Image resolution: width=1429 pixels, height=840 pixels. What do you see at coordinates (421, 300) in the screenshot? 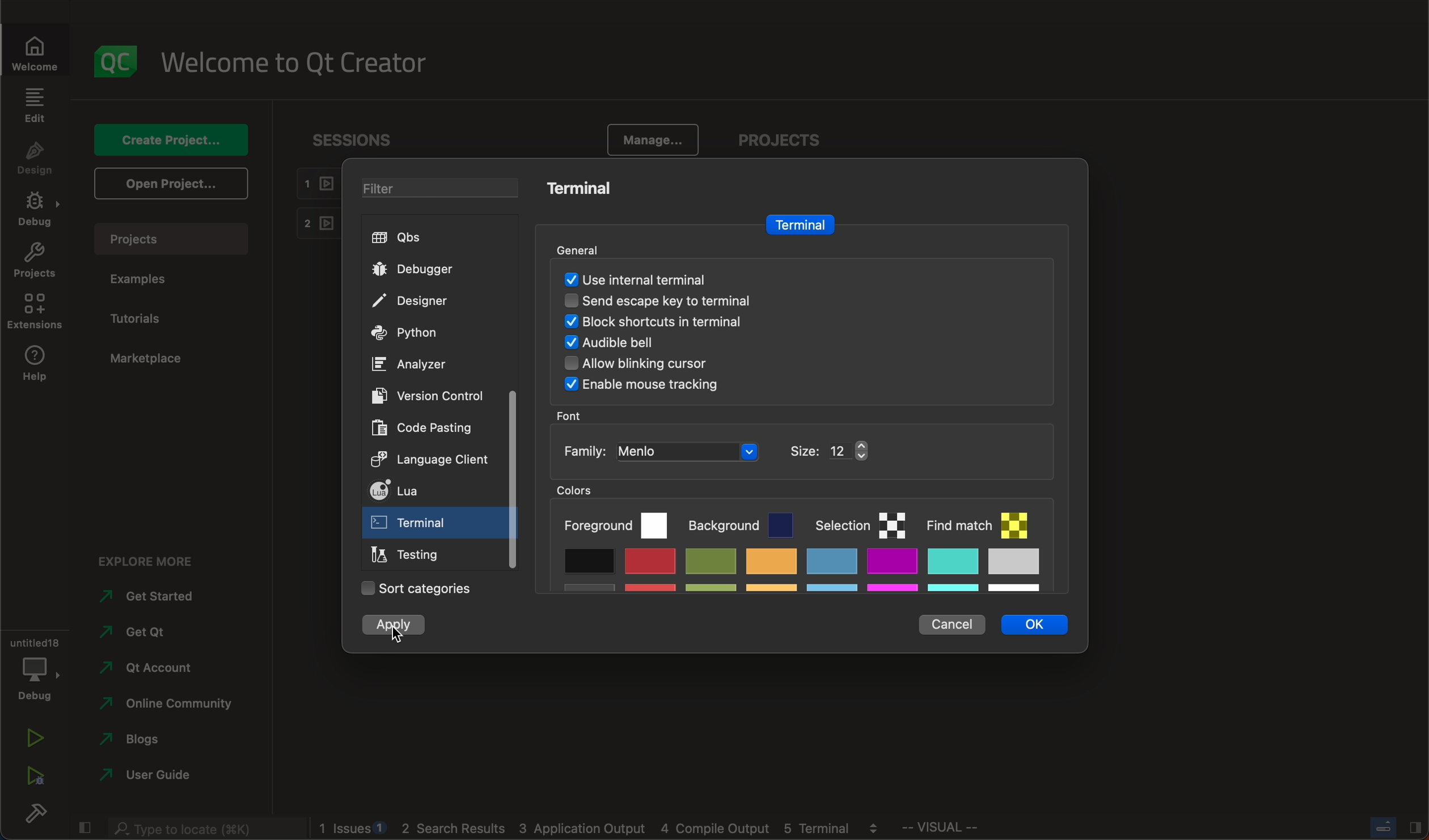
I see `designer` at bounding box center [421, 300].